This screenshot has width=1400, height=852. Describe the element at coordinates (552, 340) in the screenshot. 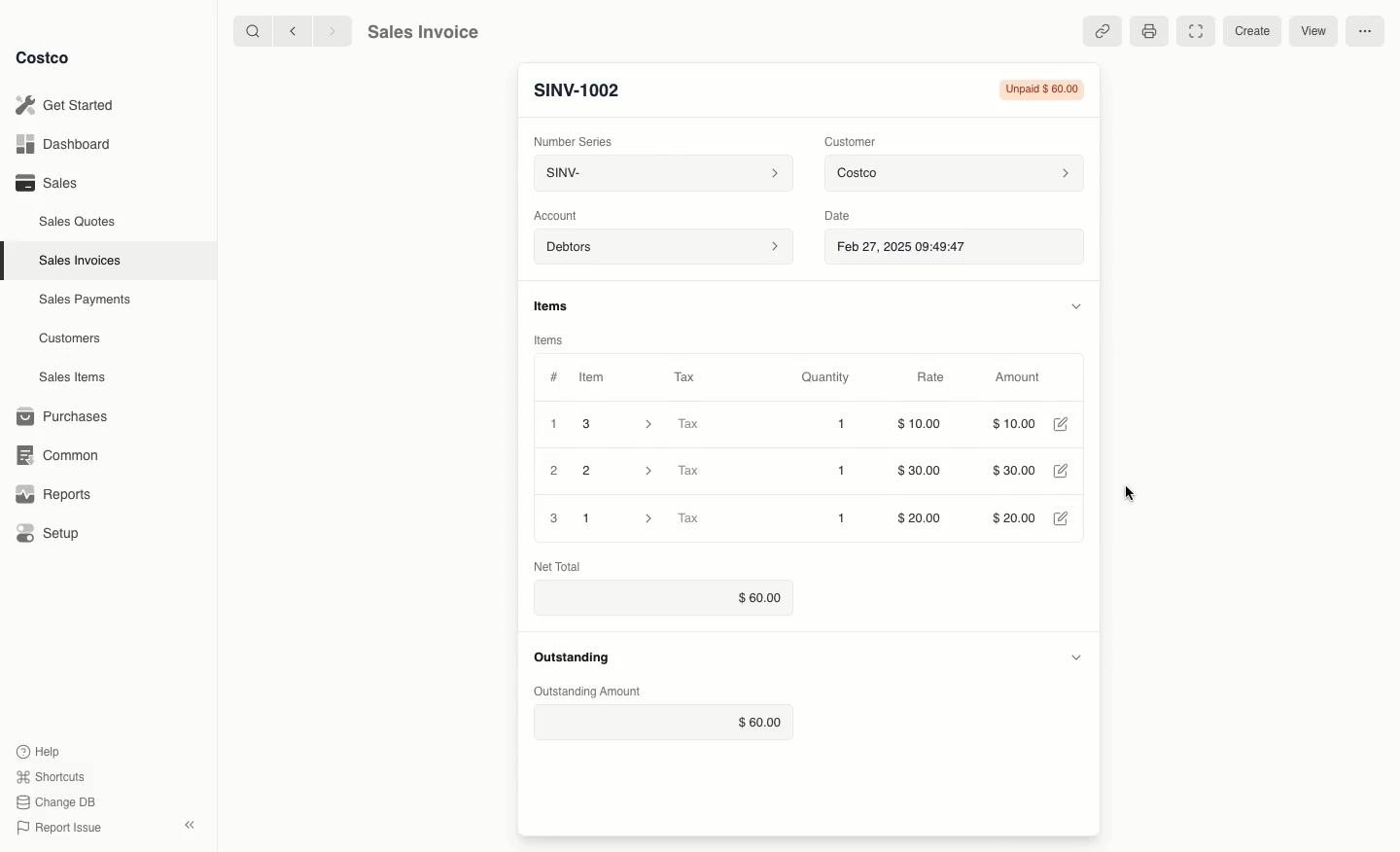

I see `Items` at that location.